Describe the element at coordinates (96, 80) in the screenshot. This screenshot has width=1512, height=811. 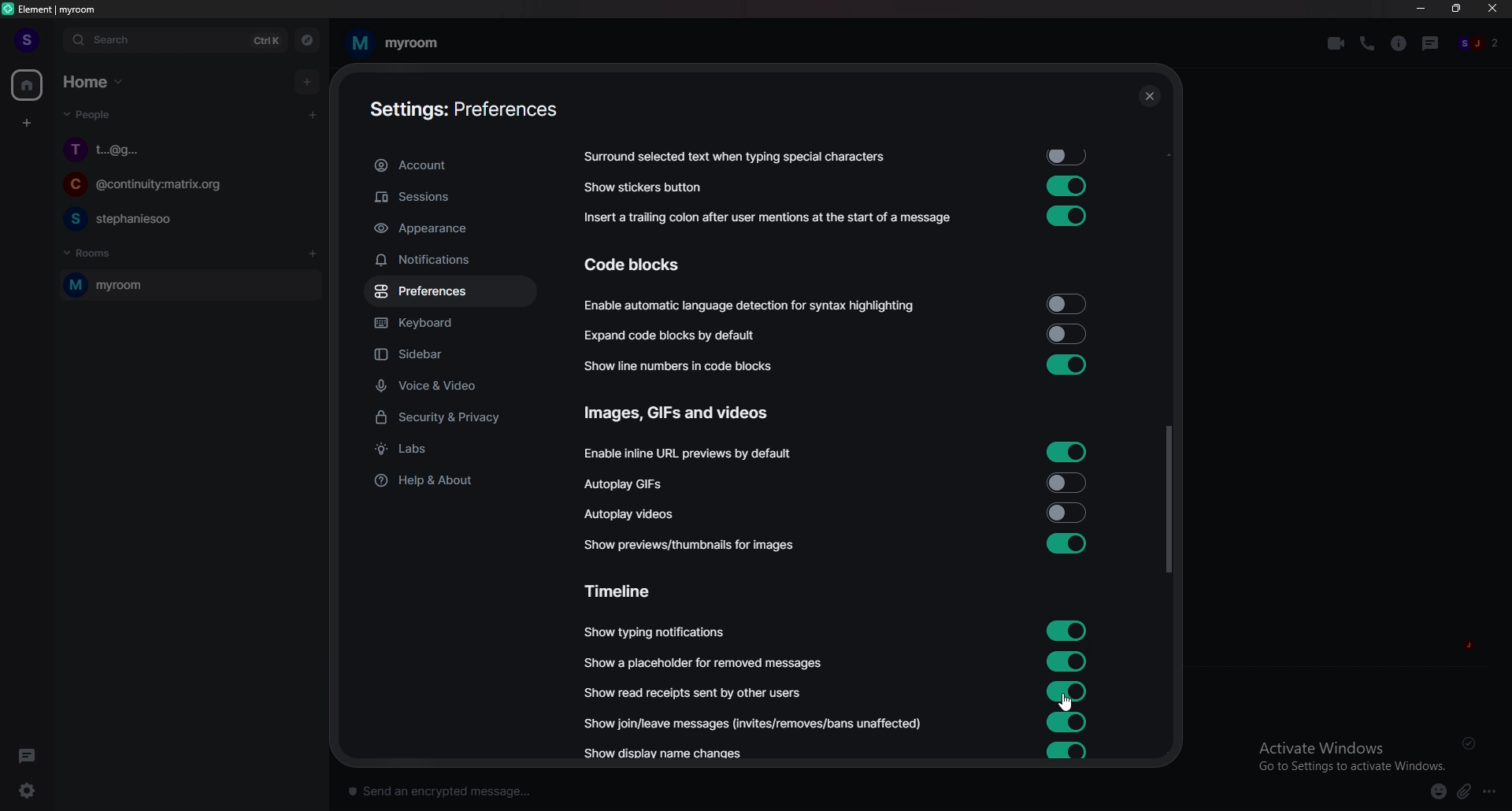
I see `Home` at that location.